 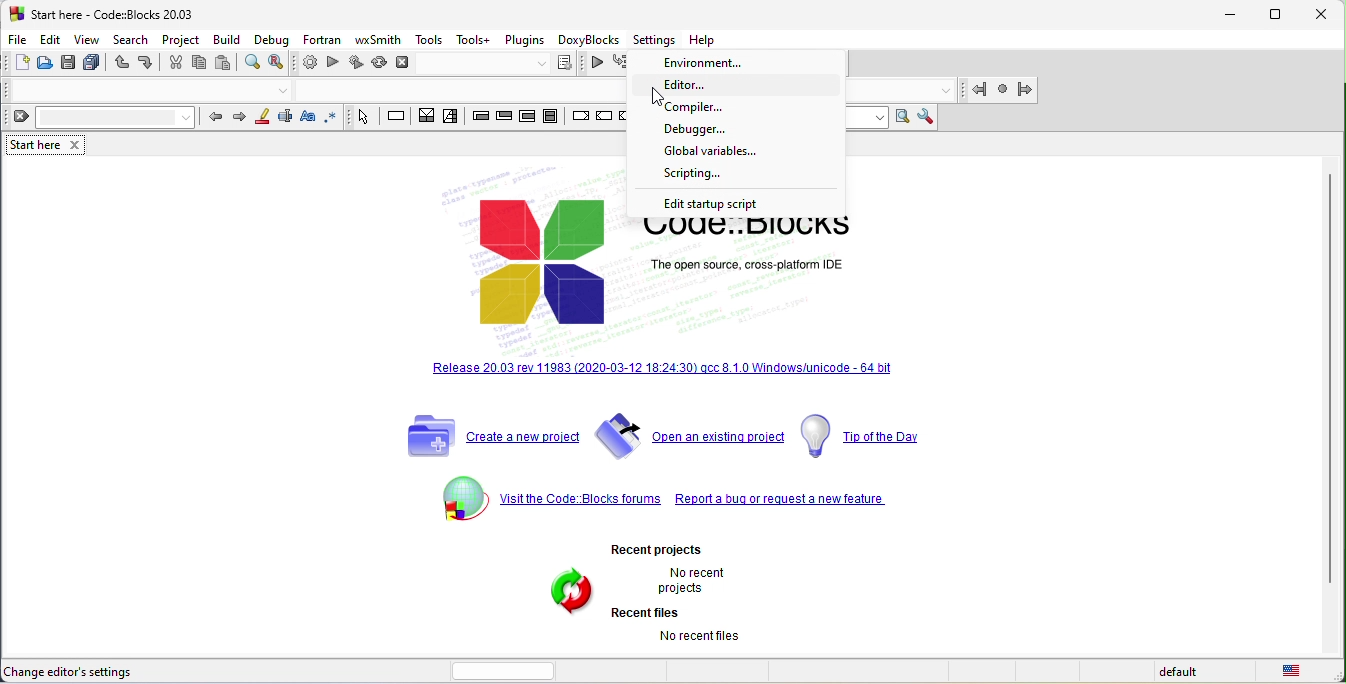 I want to click on jump back, so click(x=974, y=89).